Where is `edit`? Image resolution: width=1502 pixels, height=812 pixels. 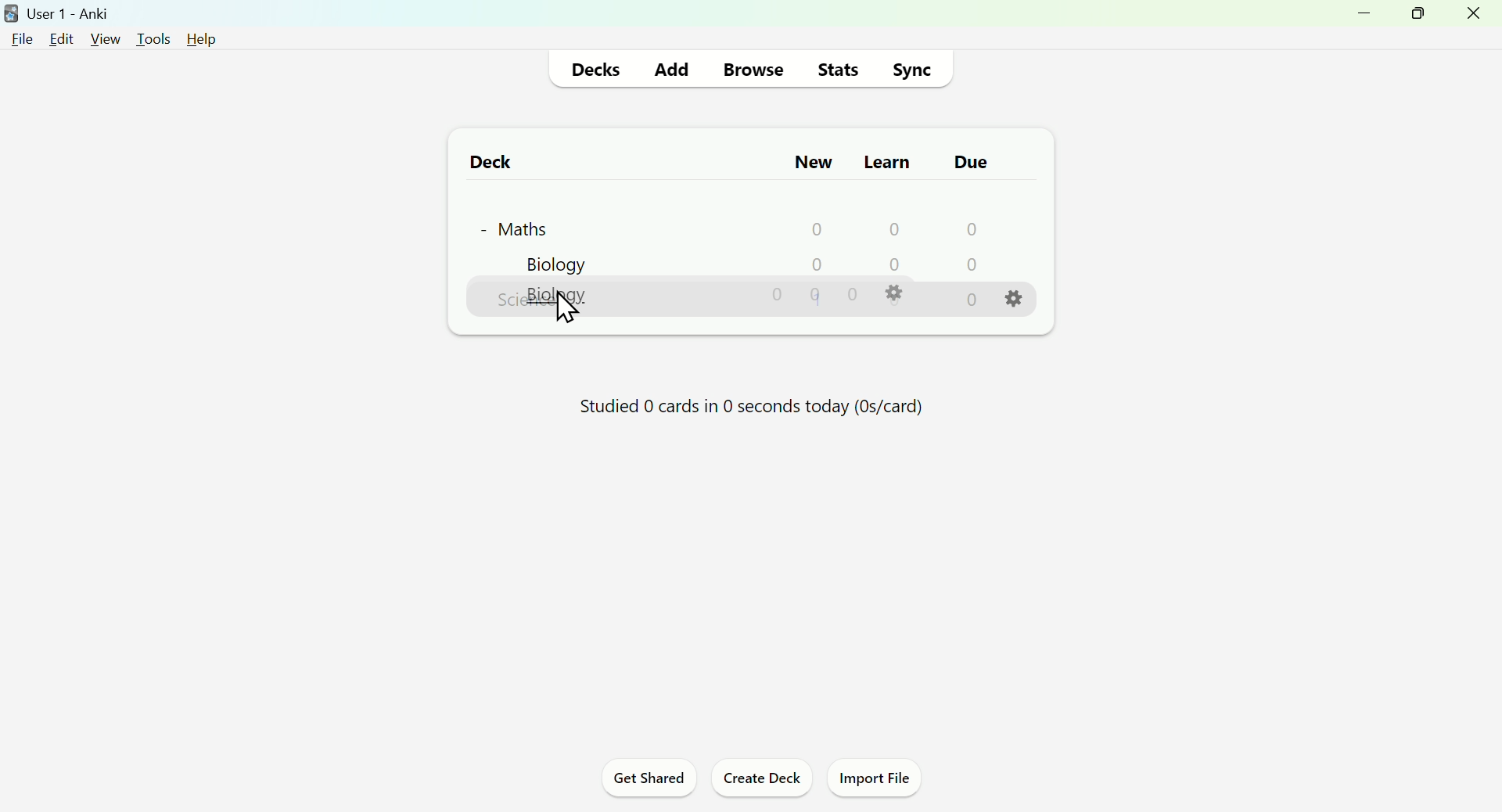 edit is located at coordinates (62, 38).